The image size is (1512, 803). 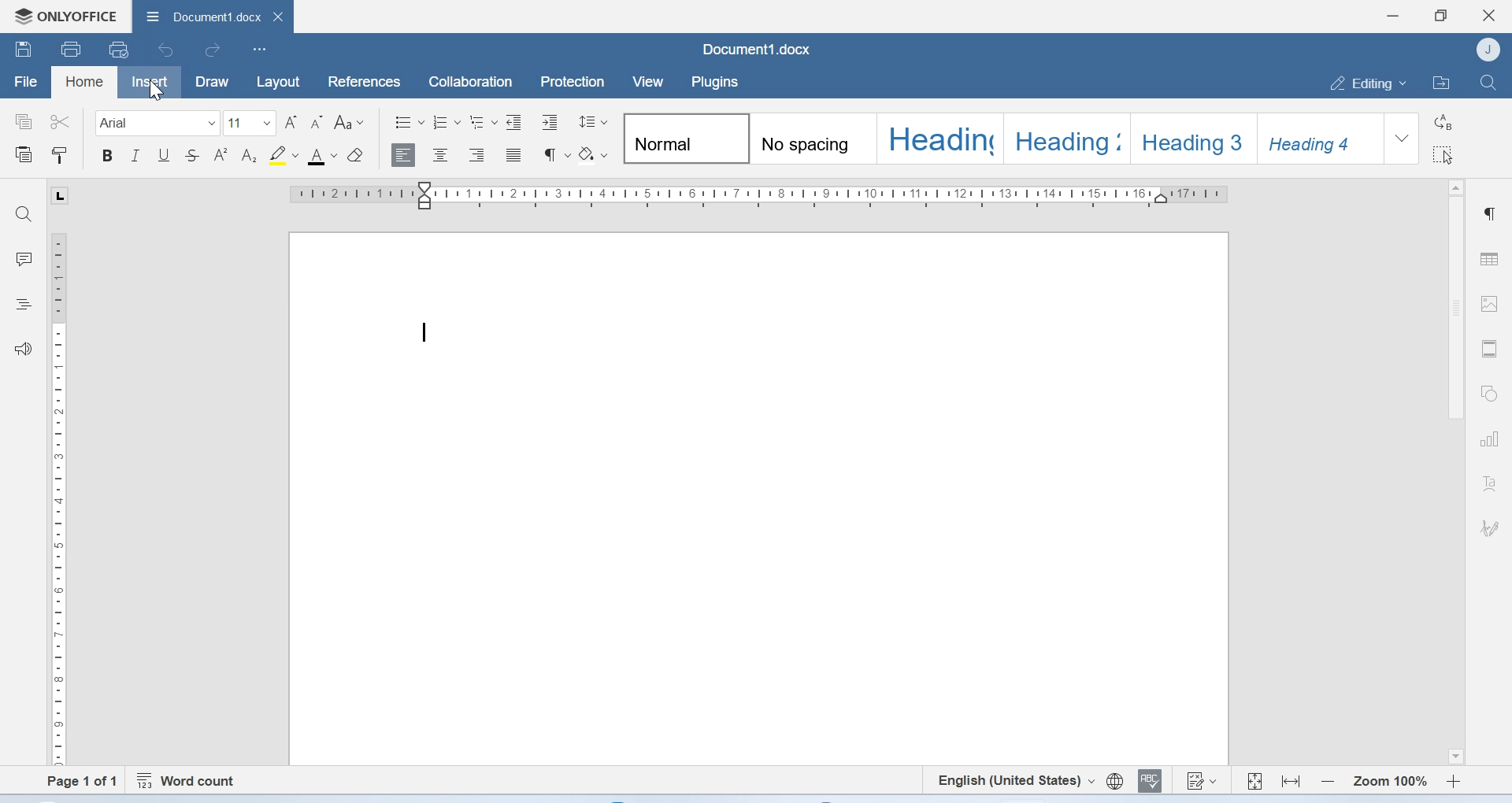 What do you see at coordinates (361, 81) in the screenshot?
I see `References` at bounding box center [361, 81].